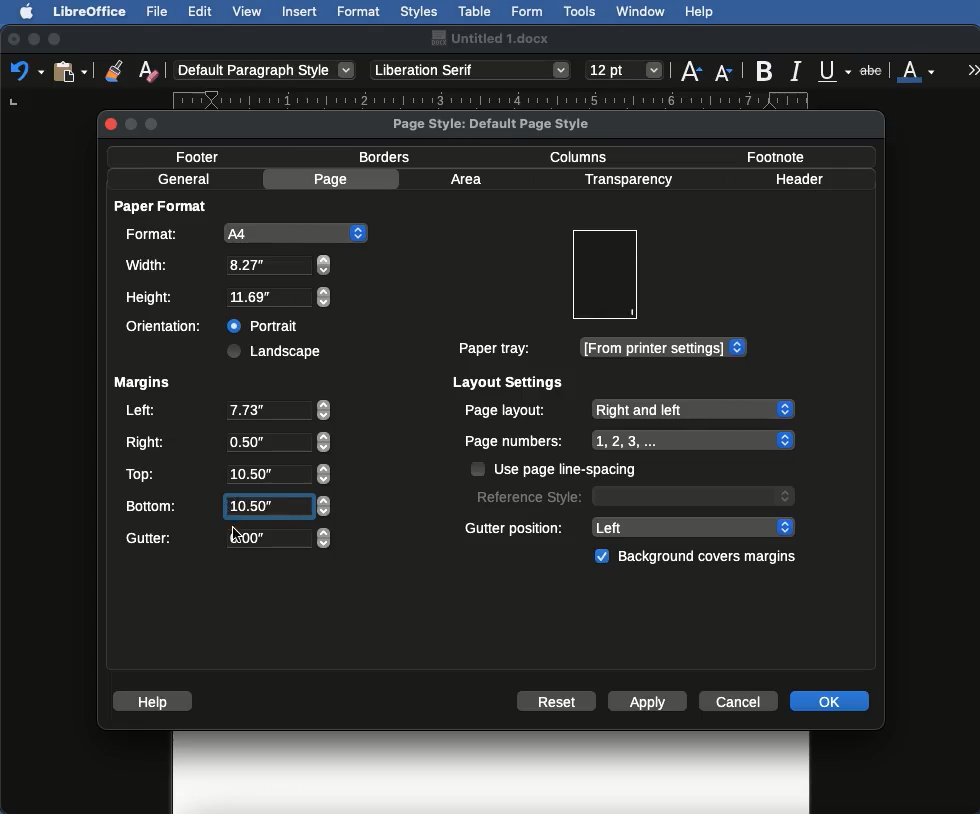 The height and width of the screenshot is (814, 980). Describe the element at coordinates (873, 69) in the screenshot. I see `Strikethrough ` at that location.